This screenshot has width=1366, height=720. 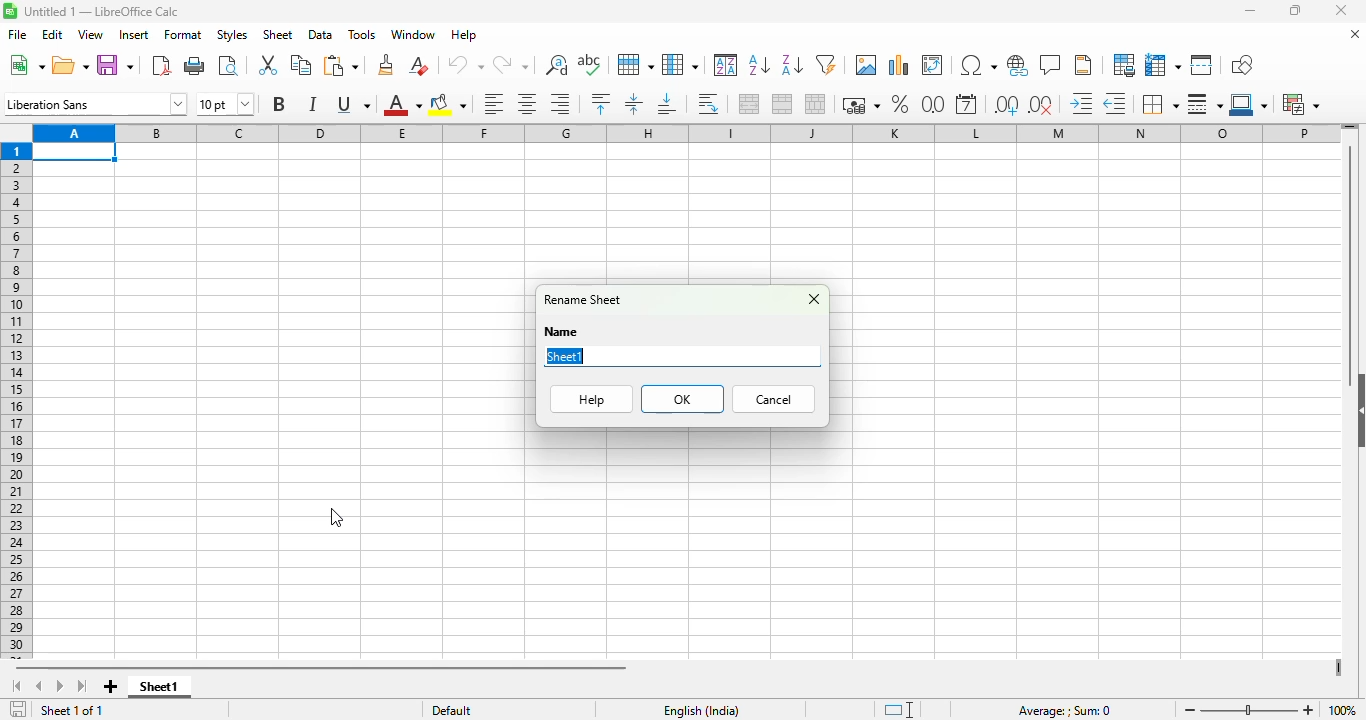 I want to click on Software logo, so click(x=9, y=11).